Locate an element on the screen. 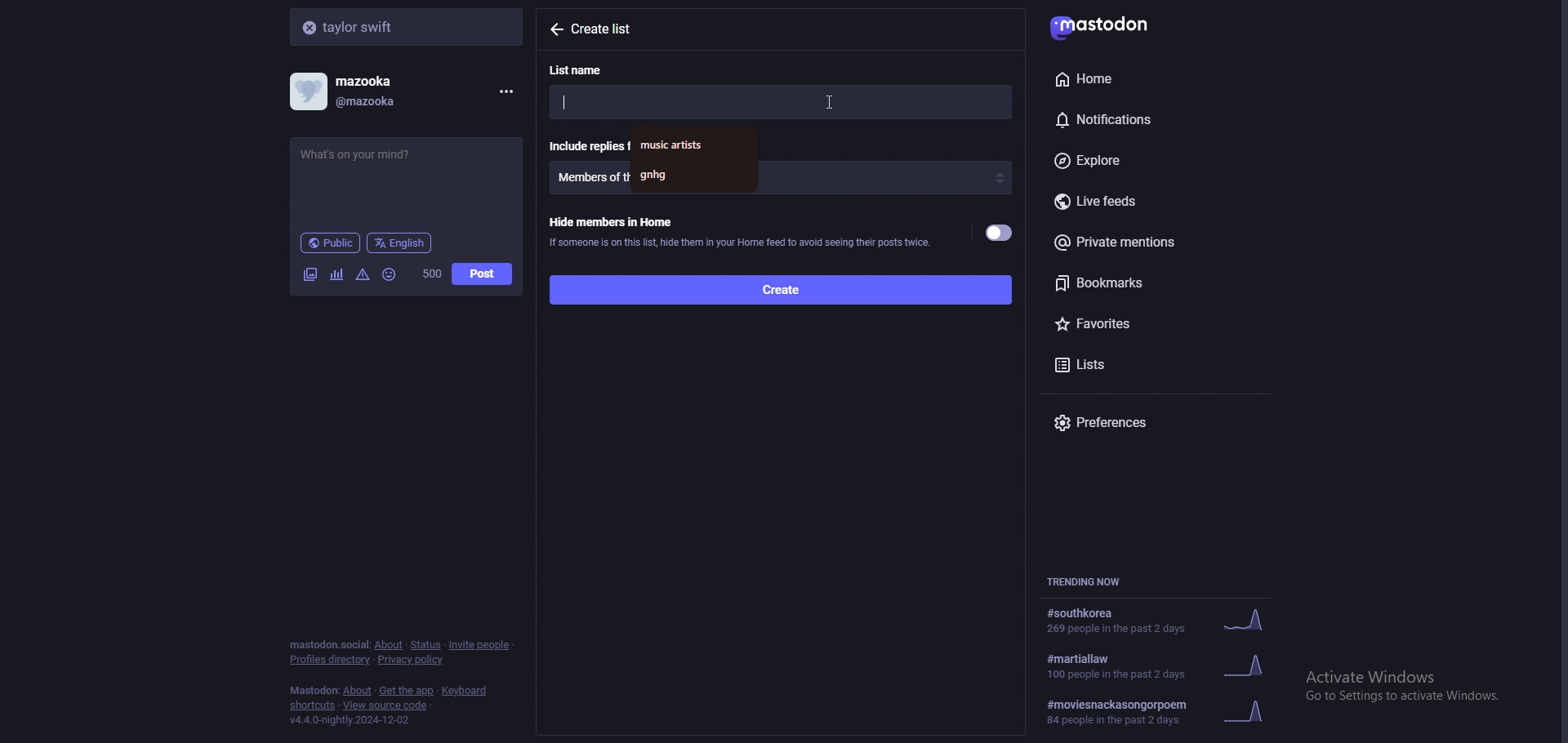 The image size is (1568, 743). profile is located at coordinates (356, 91).